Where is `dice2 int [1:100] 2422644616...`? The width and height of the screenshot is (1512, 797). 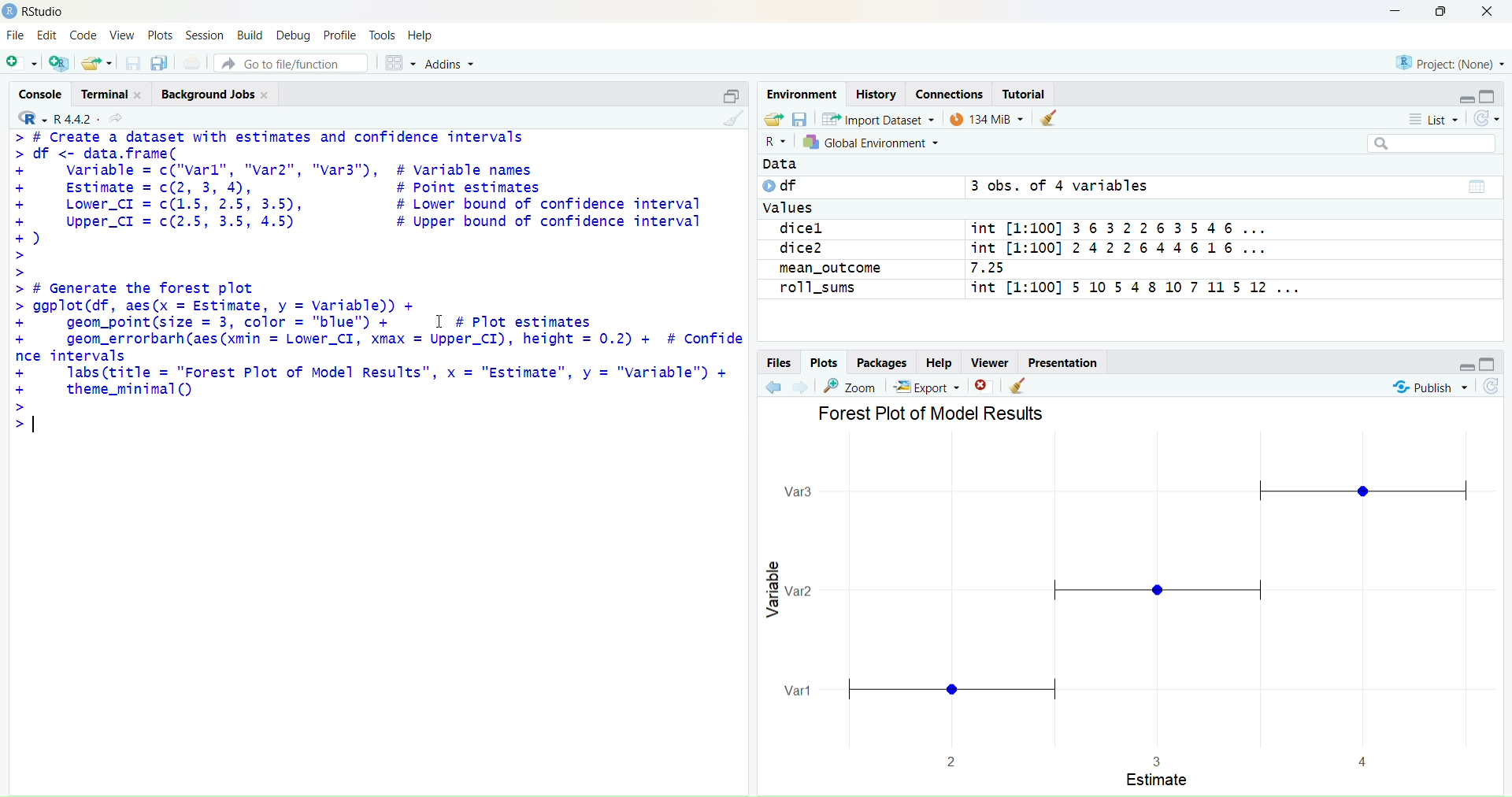 dice2 int [1:100] 2422644616... is located at coordinates (1020, 248).